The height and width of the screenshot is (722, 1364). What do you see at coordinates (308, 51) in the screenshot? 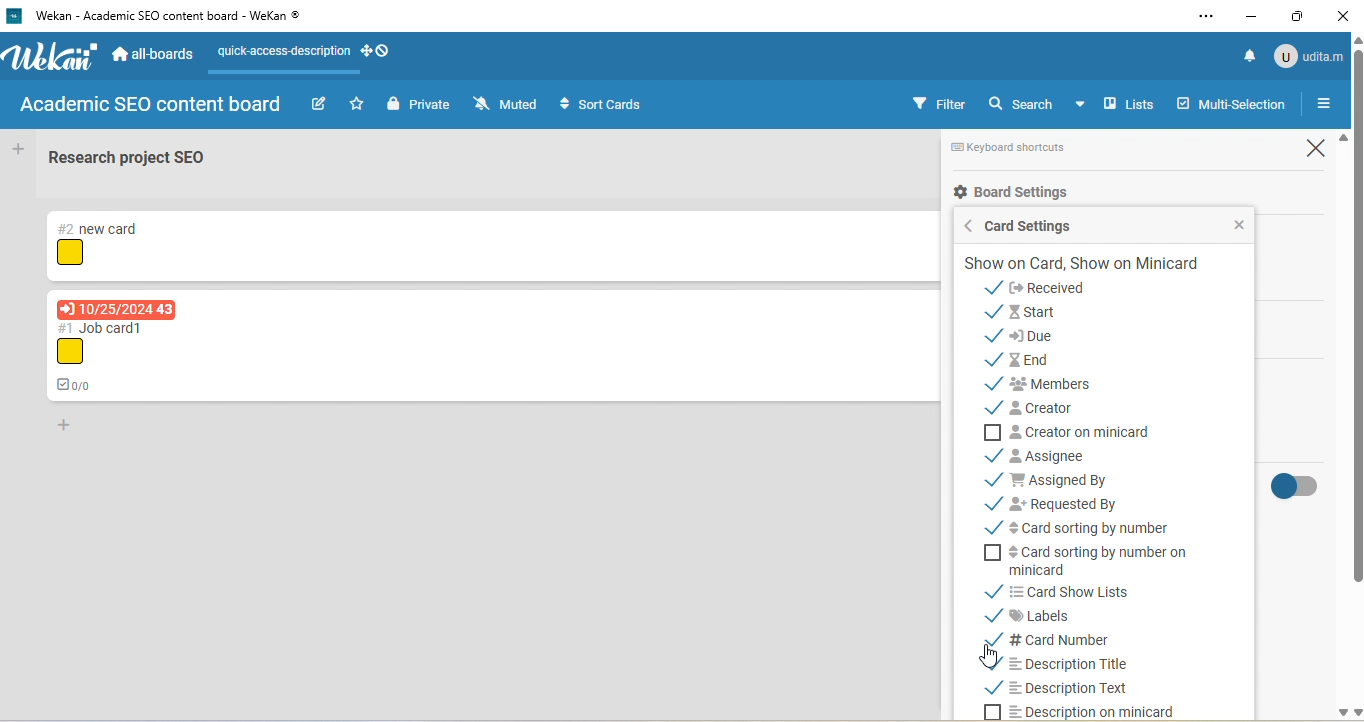
I see `quick access` at bounding box center [308, 51].